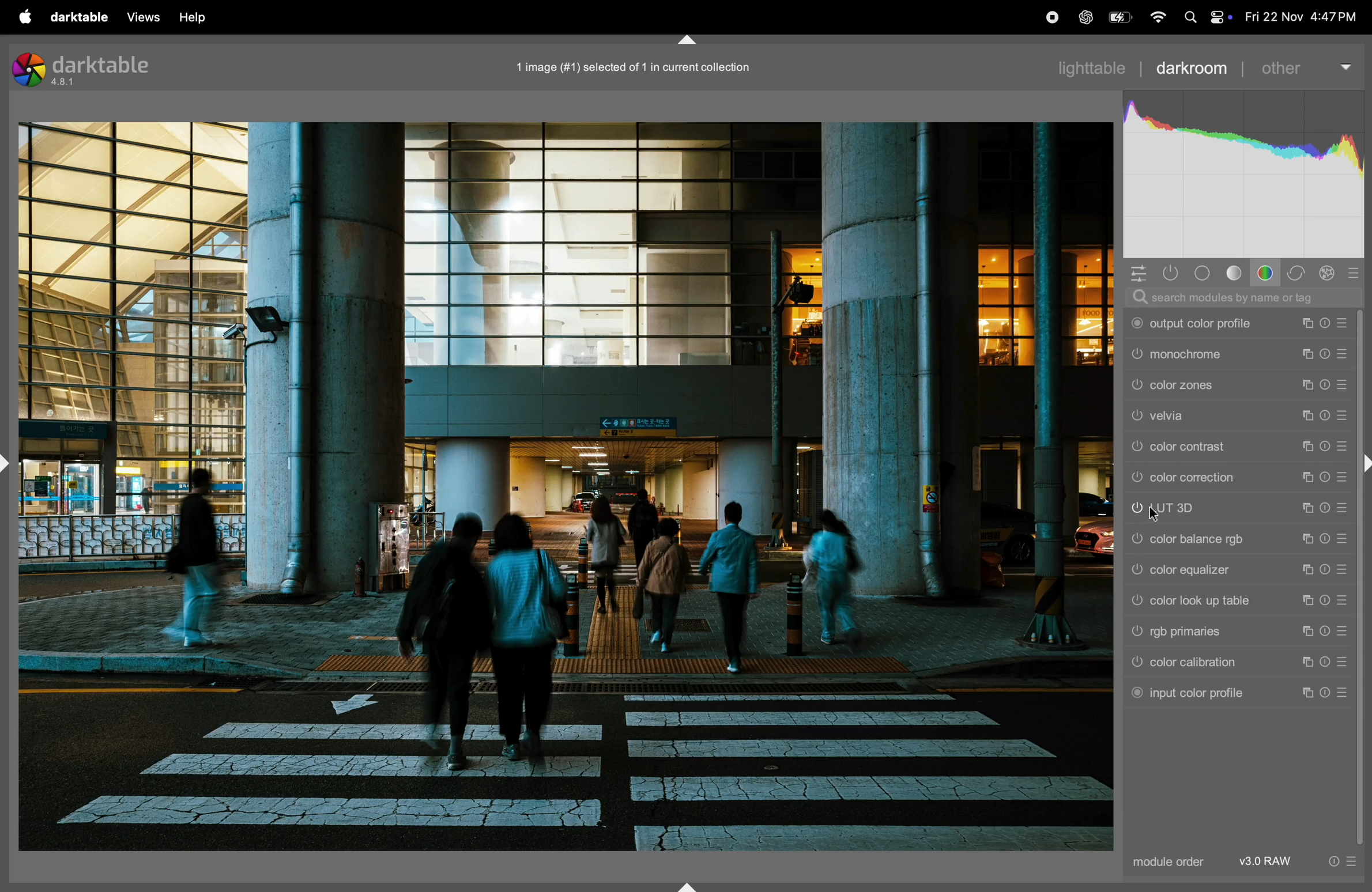  I want to click on out put color profiles, so click(1209, 325).